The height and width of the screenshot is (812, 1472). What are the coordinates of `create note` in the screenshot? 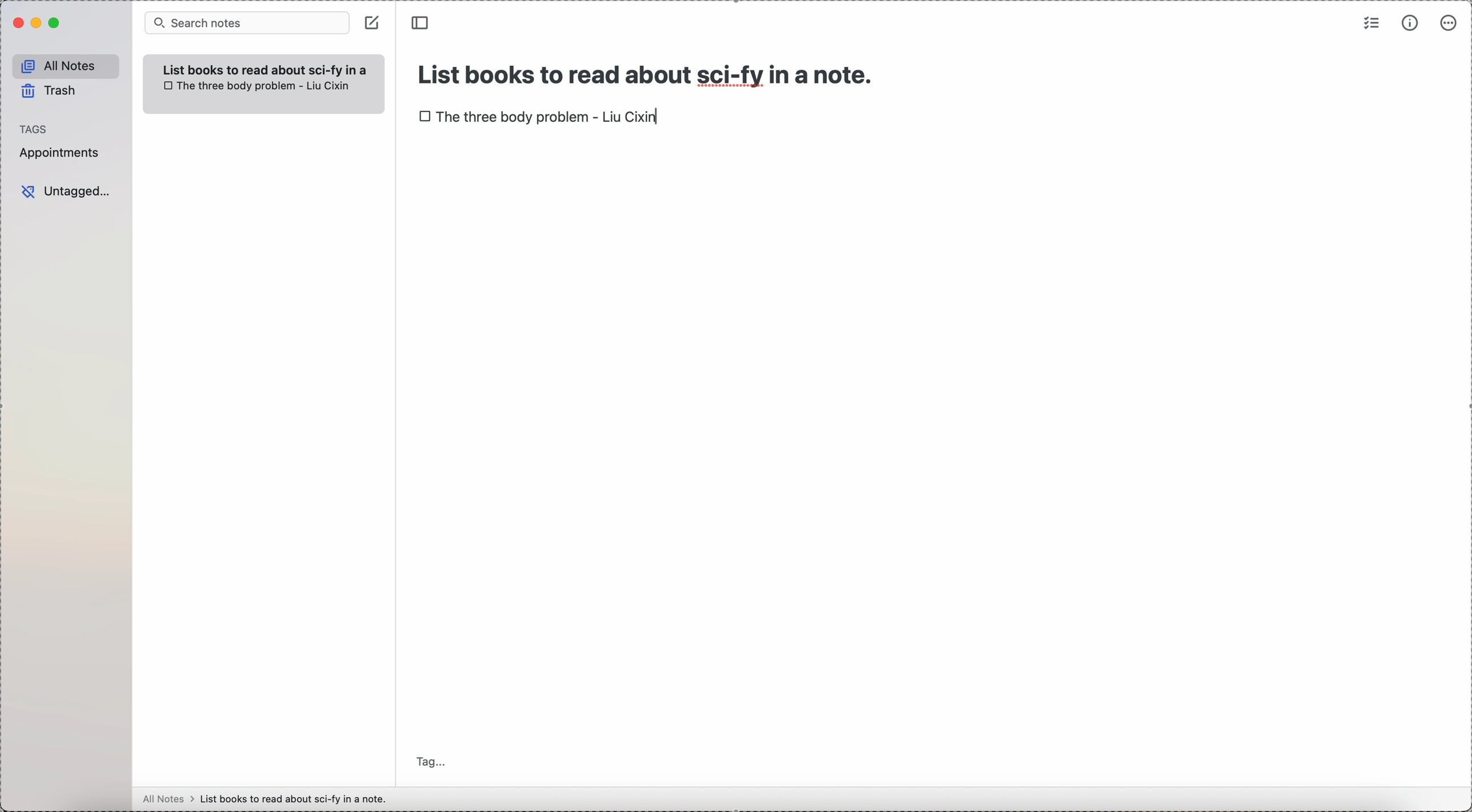 It's located at (372, 23).